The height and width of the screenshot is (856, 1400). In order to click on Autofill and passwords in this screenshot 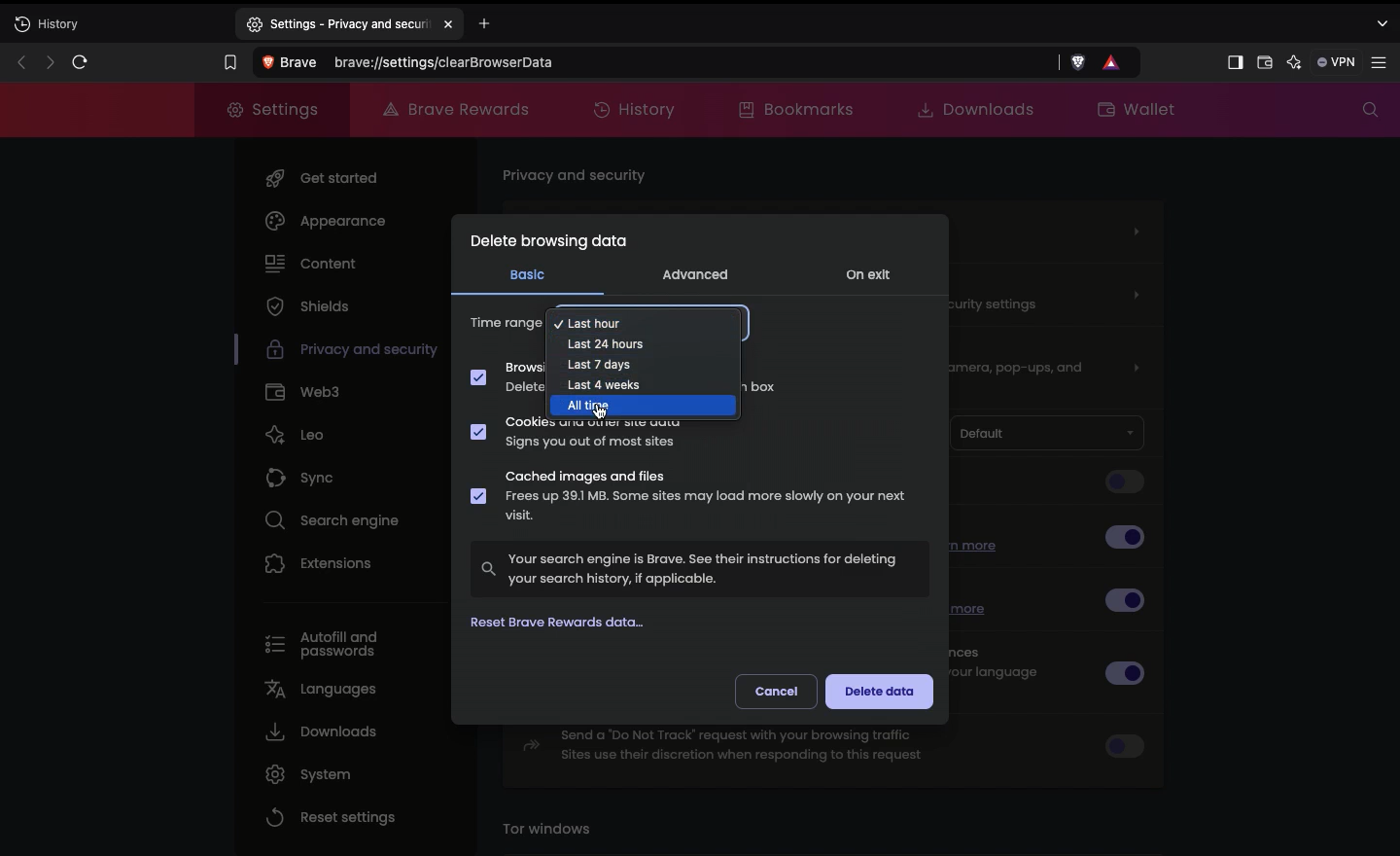, I will do `click(323, 639)`.